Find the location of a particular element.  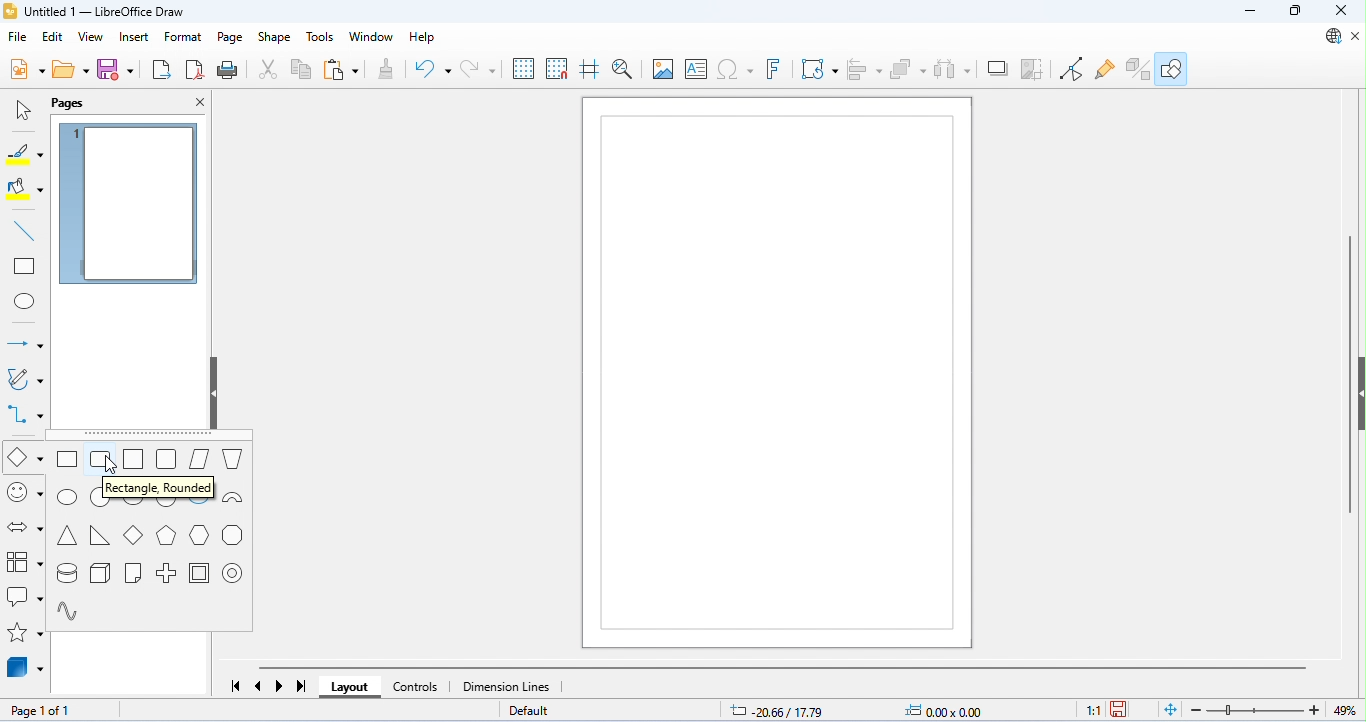

sinusoid is located at coordinates (68, 612).